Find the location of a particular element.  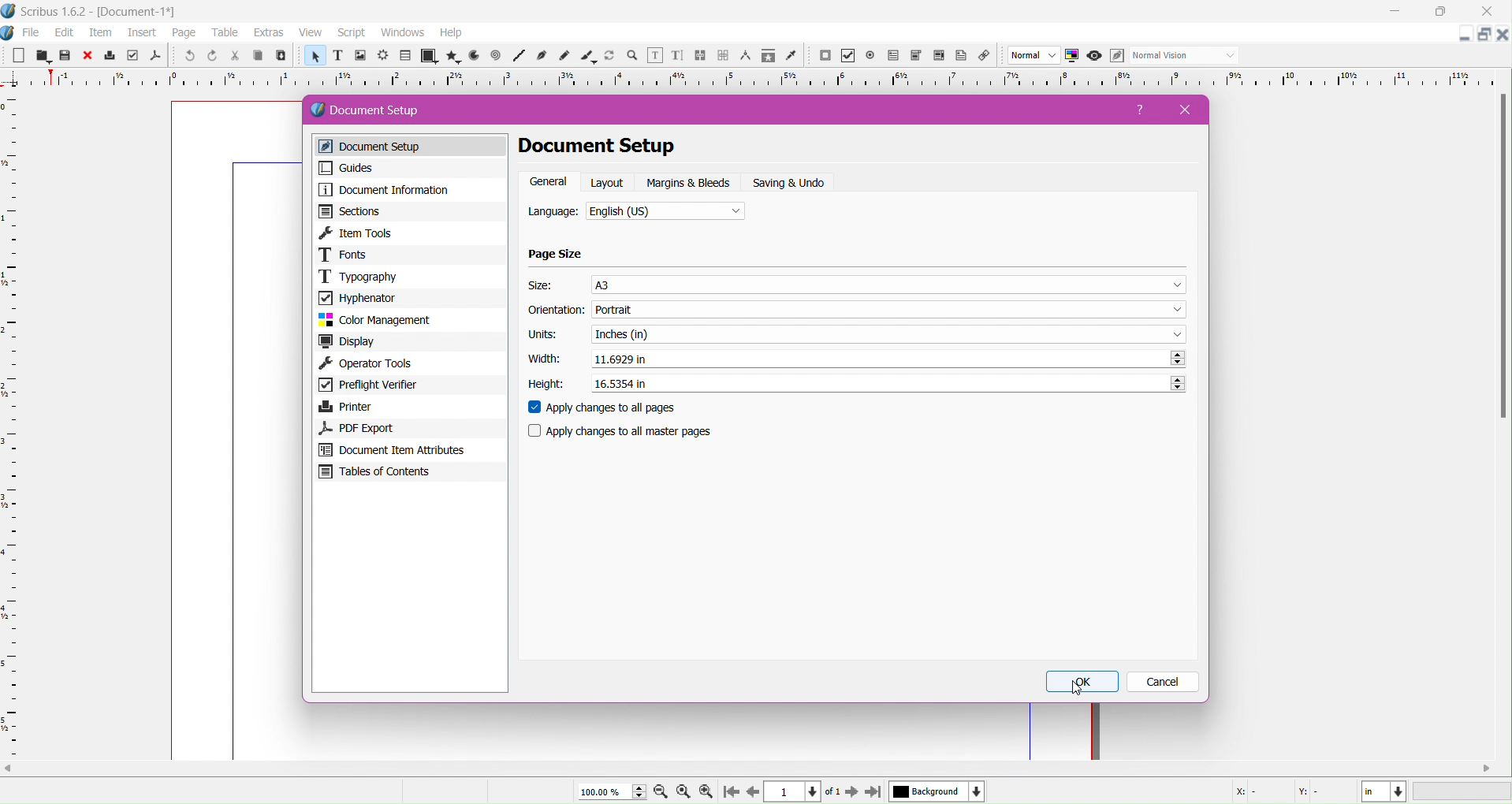

undo is located at coordinates (188, 57).